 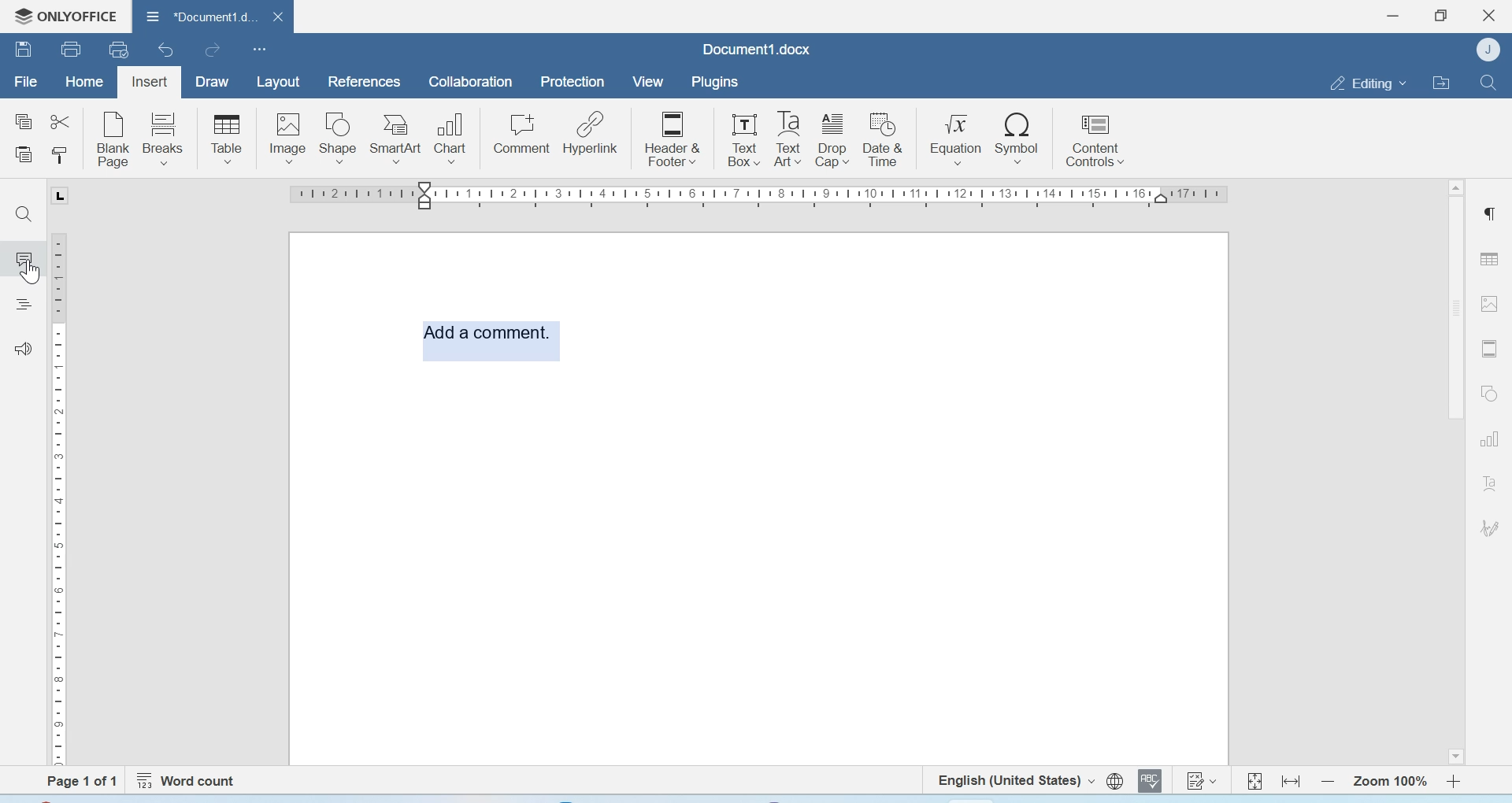 I want to click on Add comment, so click(x=487, y=333).